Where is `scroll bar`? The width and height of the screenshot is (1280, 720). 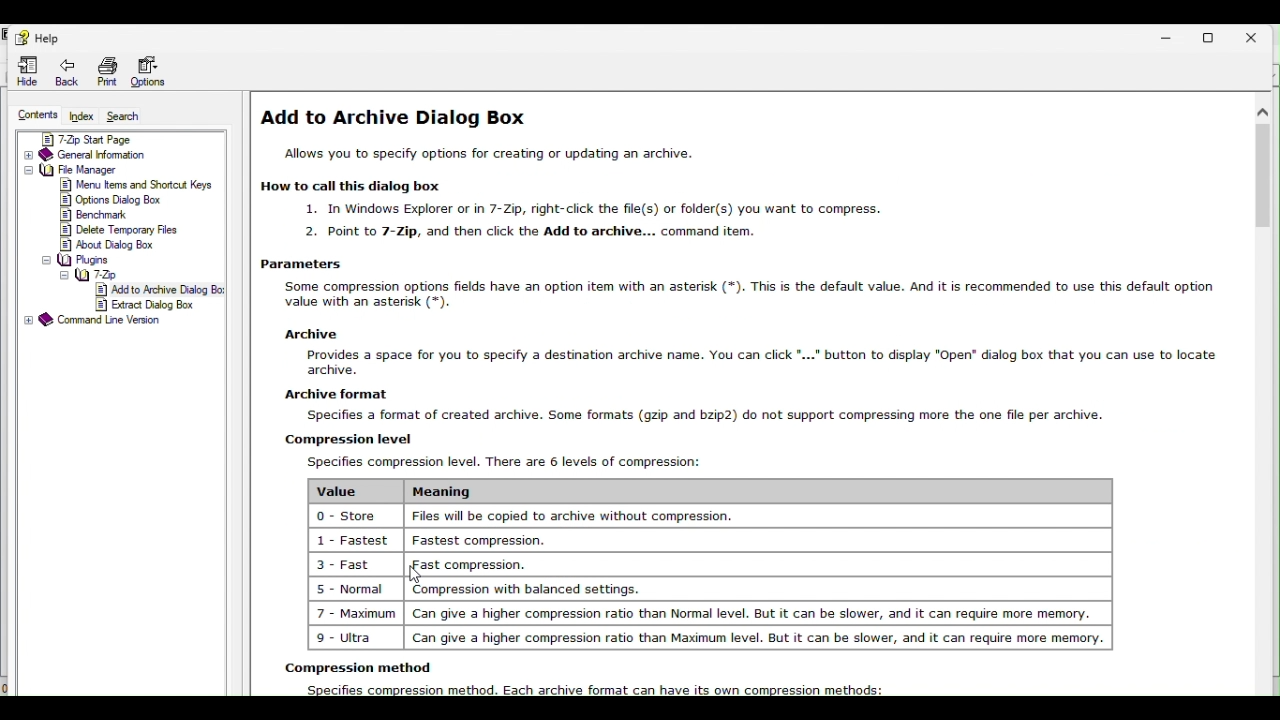
scroll bar is located at coordinates (1264, 181).